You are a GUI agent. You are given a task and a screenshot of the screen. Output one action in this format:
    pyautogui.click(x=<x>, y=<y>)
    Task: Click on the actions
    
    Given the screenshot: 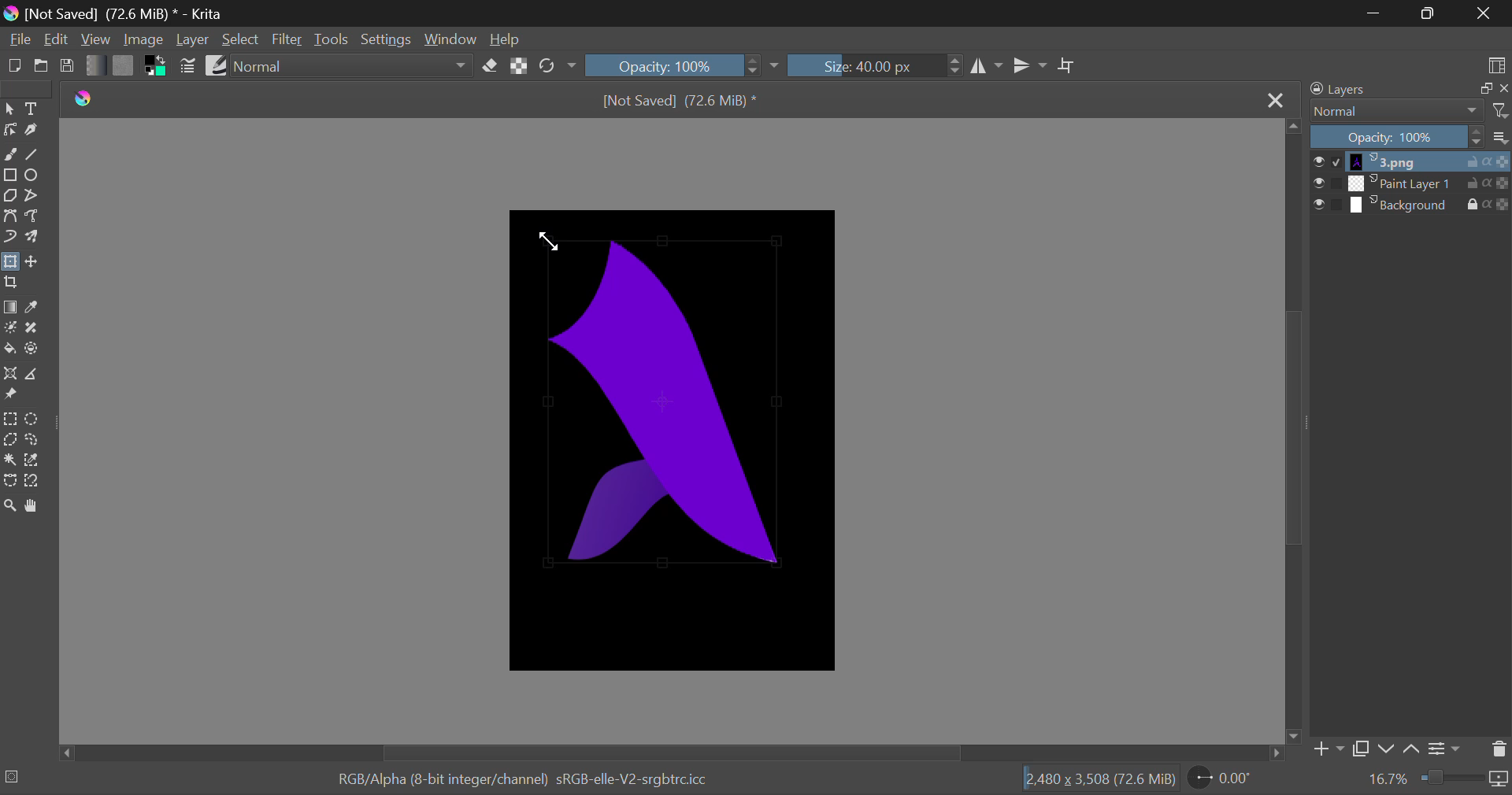 What is the action you would take?
    pyautogui.click(x=1489, y=183)
    